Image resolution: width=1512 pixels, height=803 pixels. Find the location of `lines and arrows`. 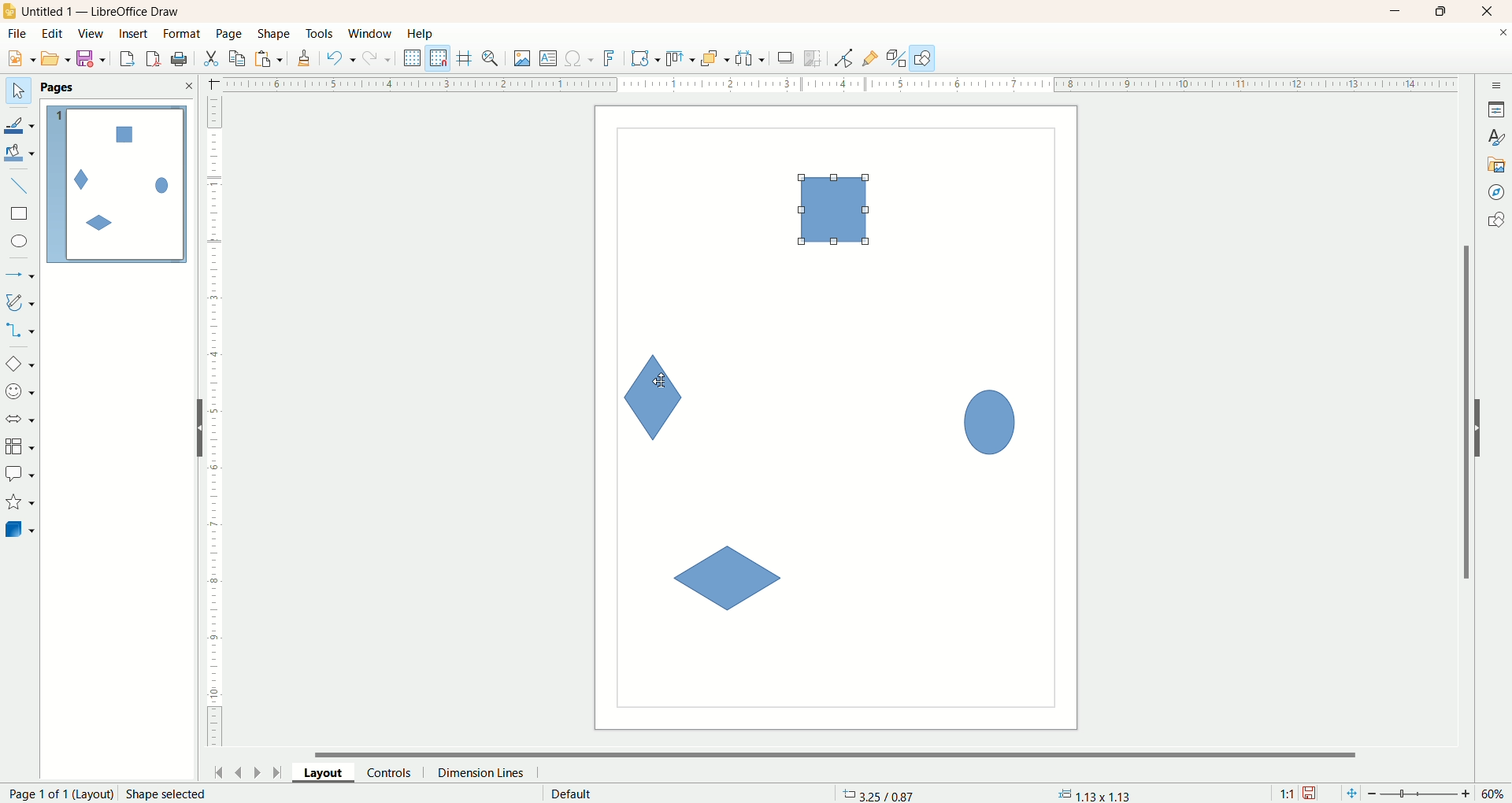

lines and arrows is located at coordinates (21, 276).